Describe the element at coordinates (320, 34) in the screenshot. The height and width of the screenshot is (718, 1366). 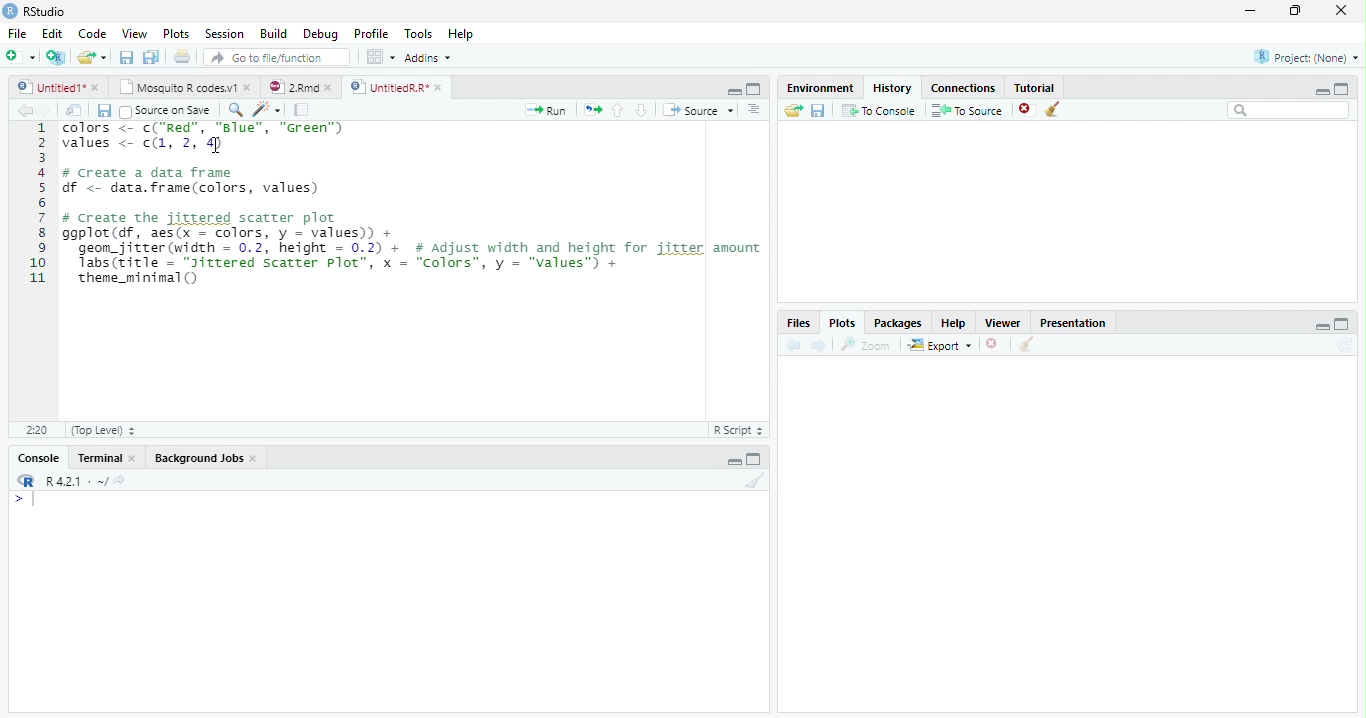
I see `Debug` at that location.